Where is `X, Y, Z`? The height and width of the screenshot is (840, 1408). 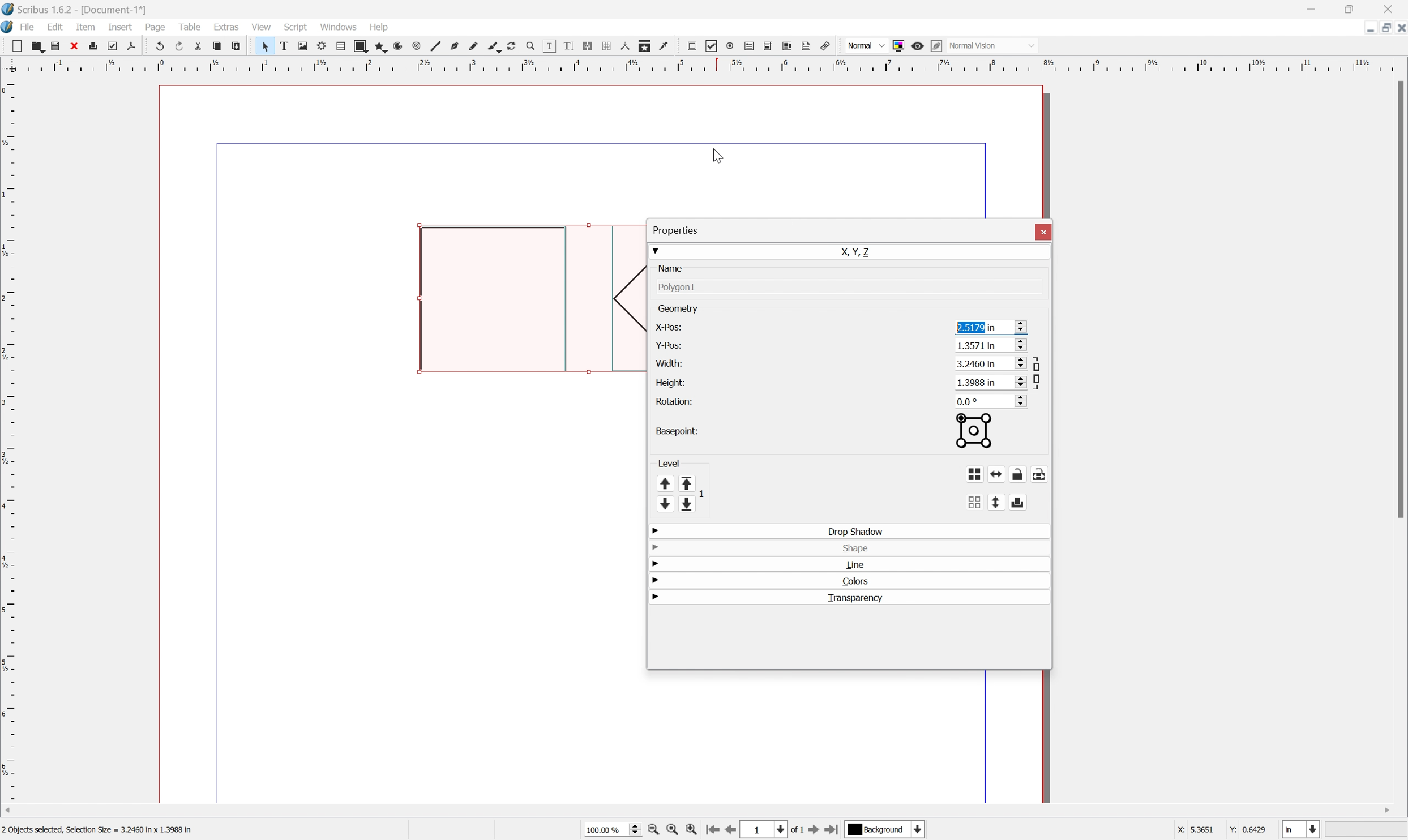
X, Y, Z is located at coordinates (858, 252).